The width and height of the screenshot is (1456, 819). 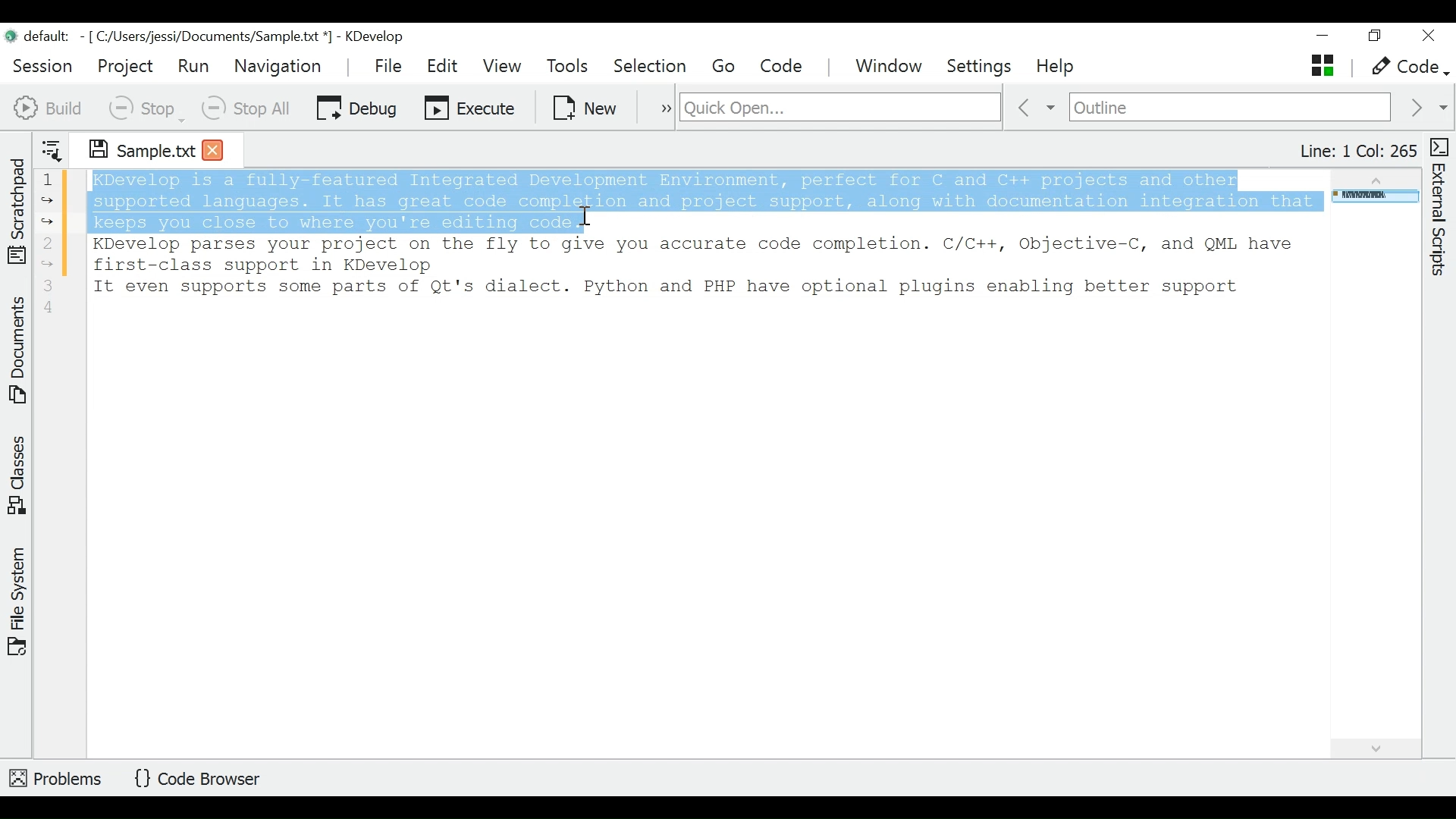 What do you see at coordinates (588, 224) in the screenshot?
I see `I-beam cursor` at bounding box center [588, 224].